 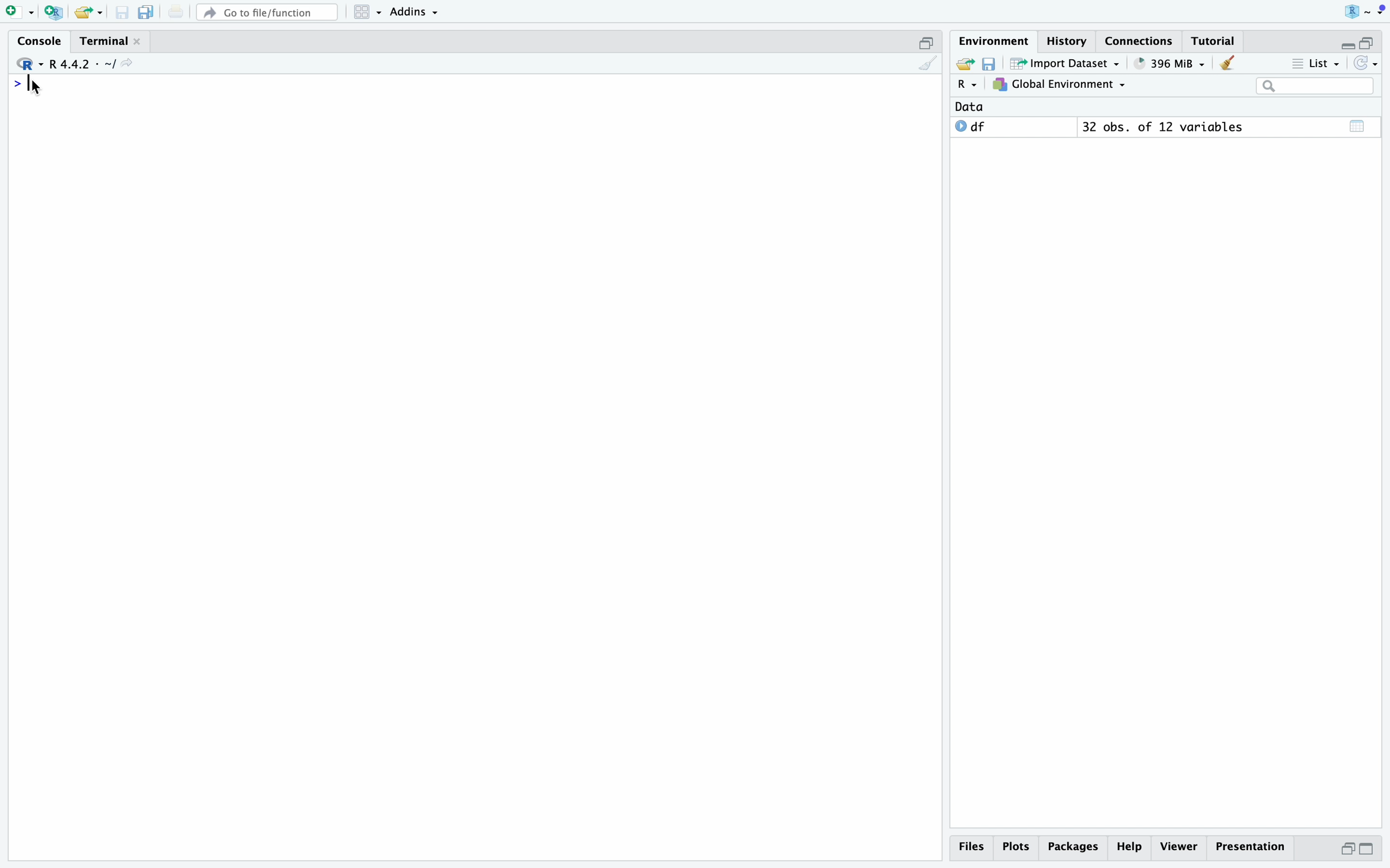 I want to click on go to file/function, so click(x=269, y=13).